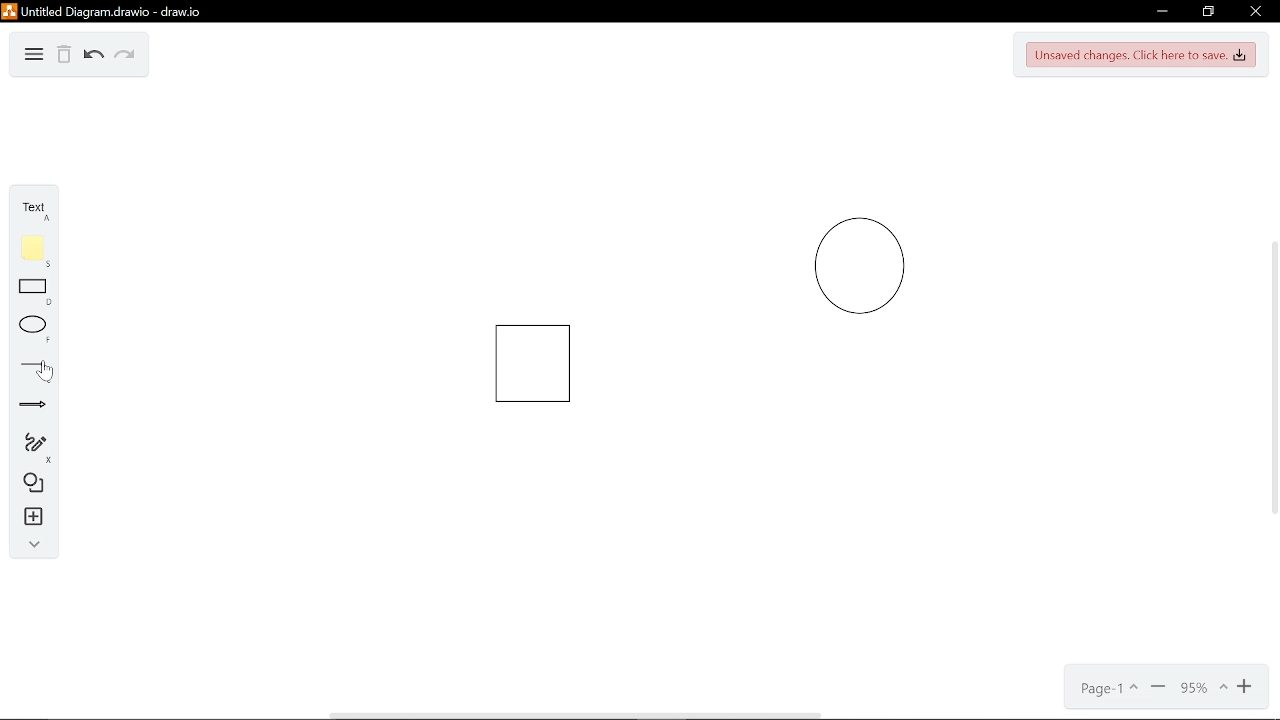 Image resolution: width=1280 pixels, height=720 pixels. What do you see at coordinates (1162, 12) in the screenshot?
I see `Minimize` at bounding box center [1162, 12].